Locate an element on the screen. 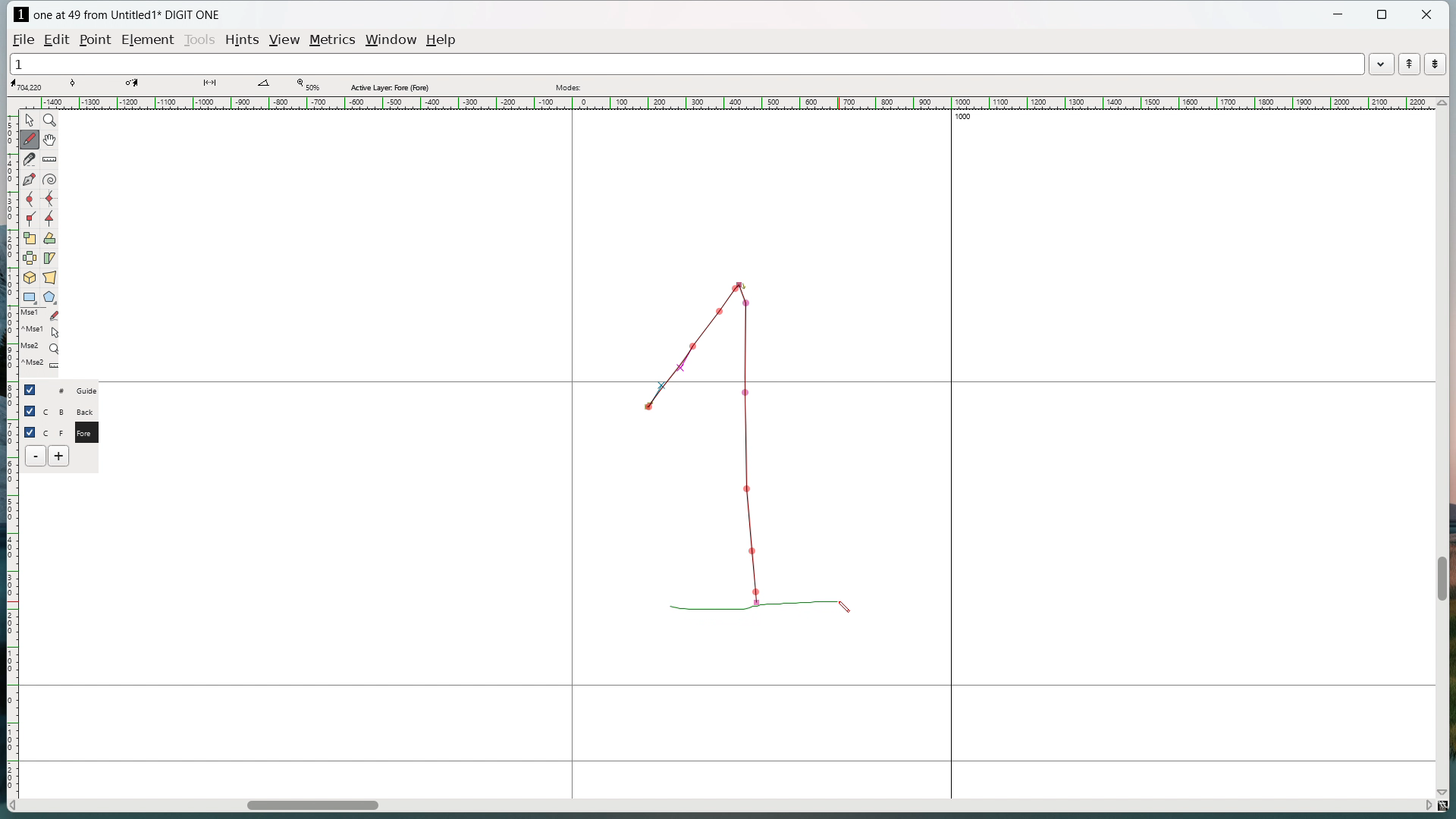  C B Back is located at coordinates (71, 409).